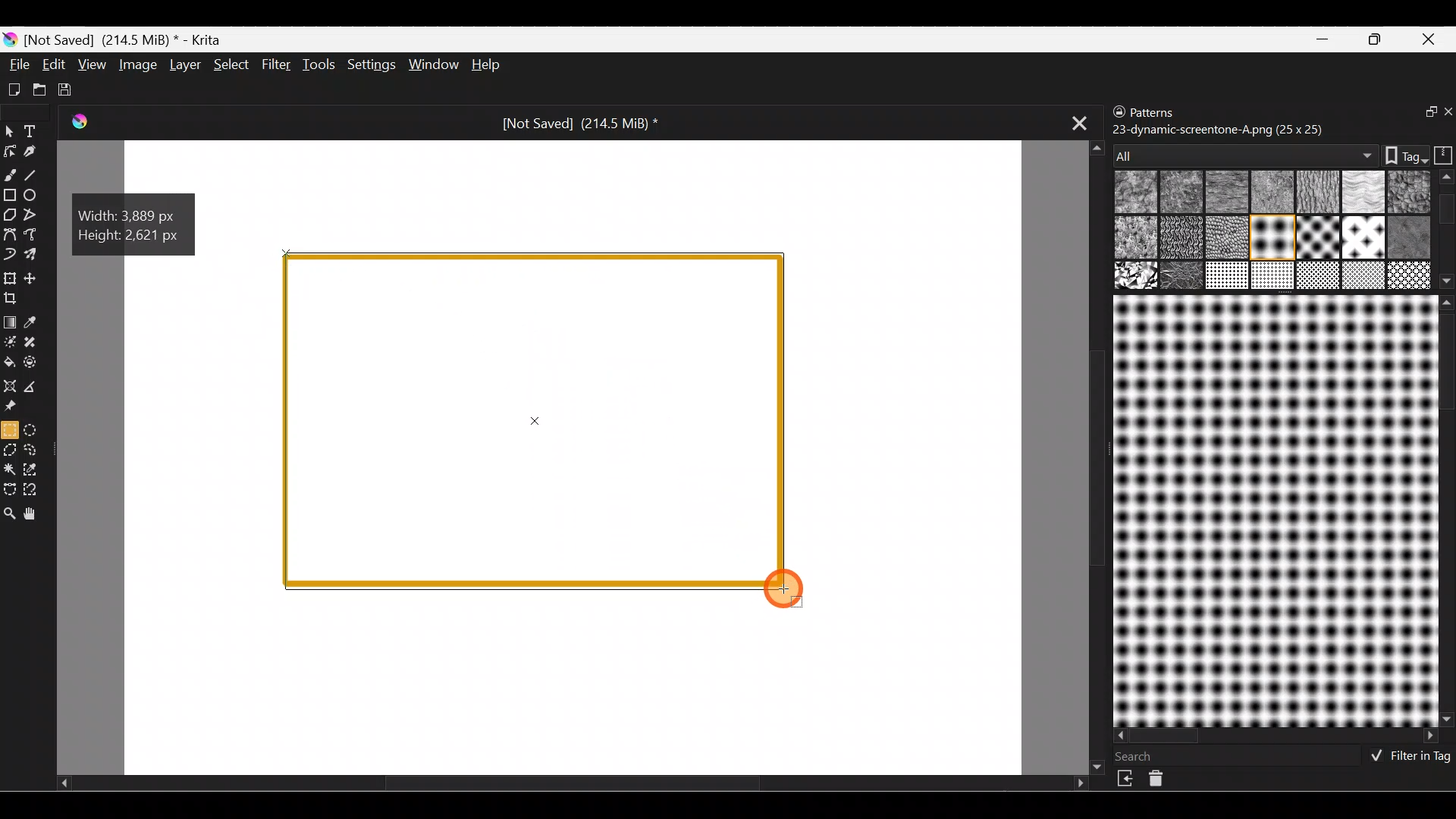 The width and height of the screenshot is (1456, 819). What do you see at coordinates (276, 63) in the screenshot?
I see `Filter` at bounding box center [276, 63].